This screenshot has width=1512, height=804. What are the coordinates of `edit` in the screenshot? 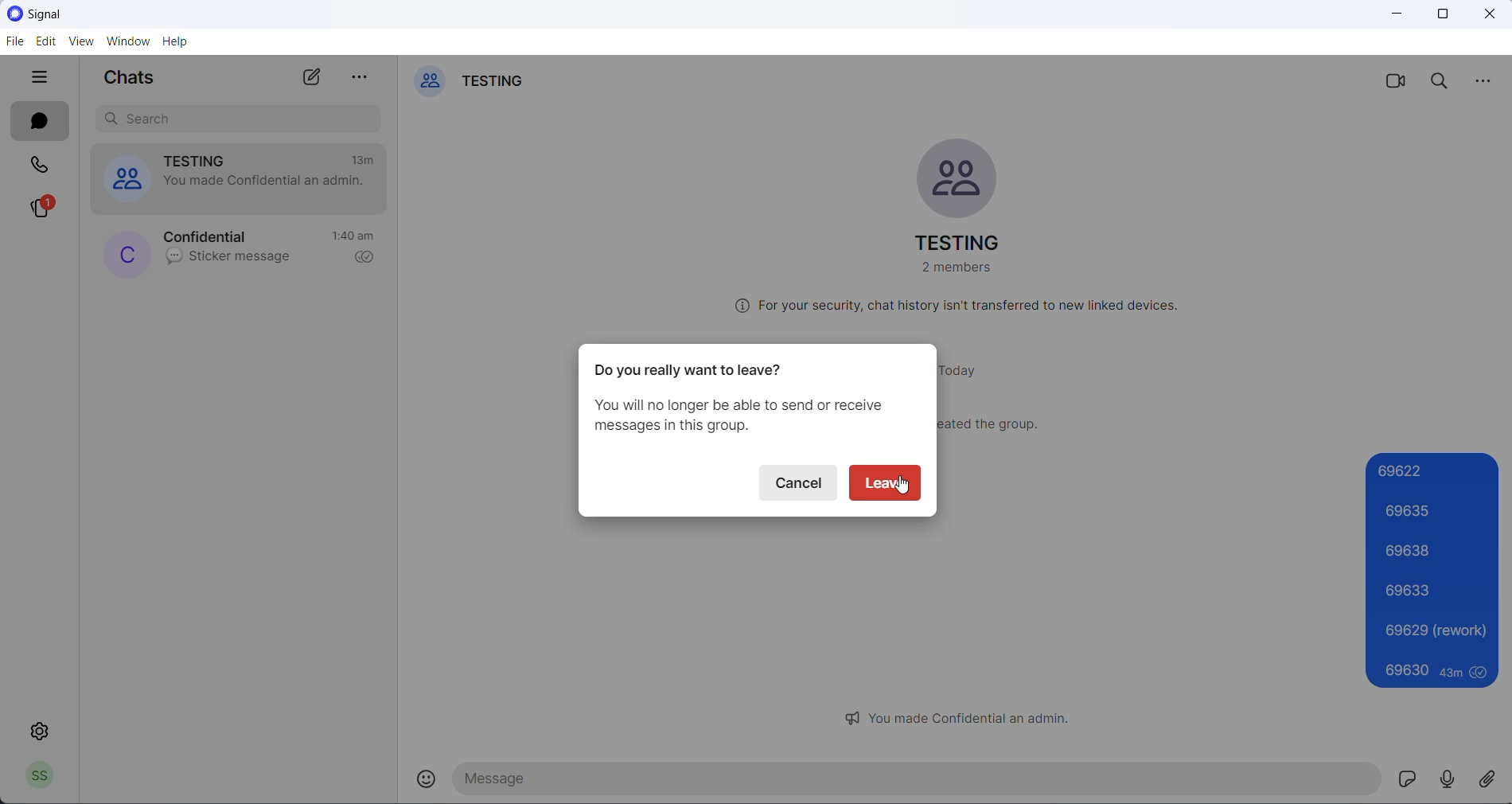 It's located at (44, 45).